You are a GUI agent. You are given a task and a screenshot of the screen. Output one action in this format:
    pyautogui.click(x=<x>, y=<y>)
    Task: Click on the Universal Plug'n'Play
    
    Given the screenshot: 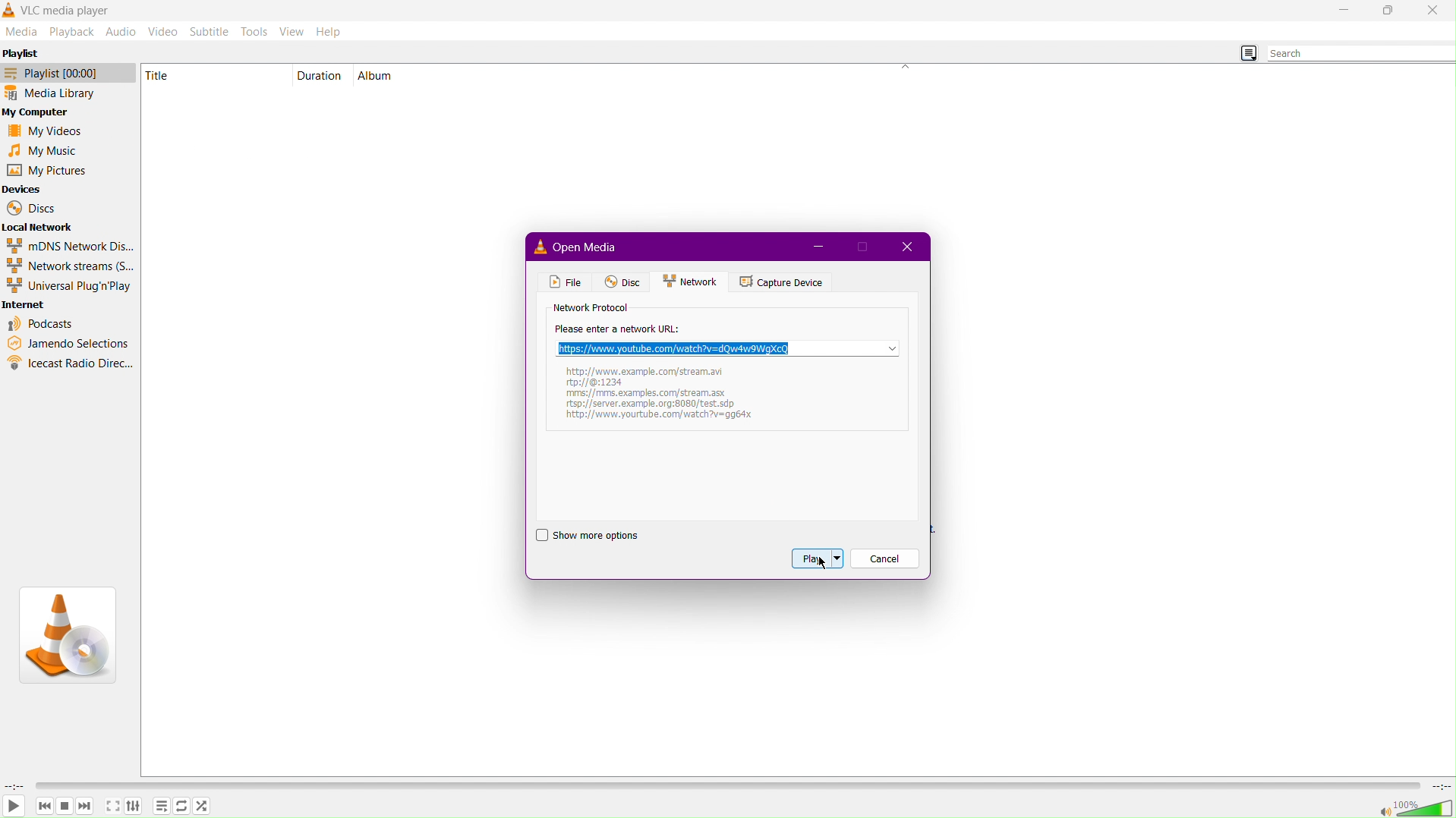 What is the action you would take?
    pyautogui.click(x=70, y=288)
    